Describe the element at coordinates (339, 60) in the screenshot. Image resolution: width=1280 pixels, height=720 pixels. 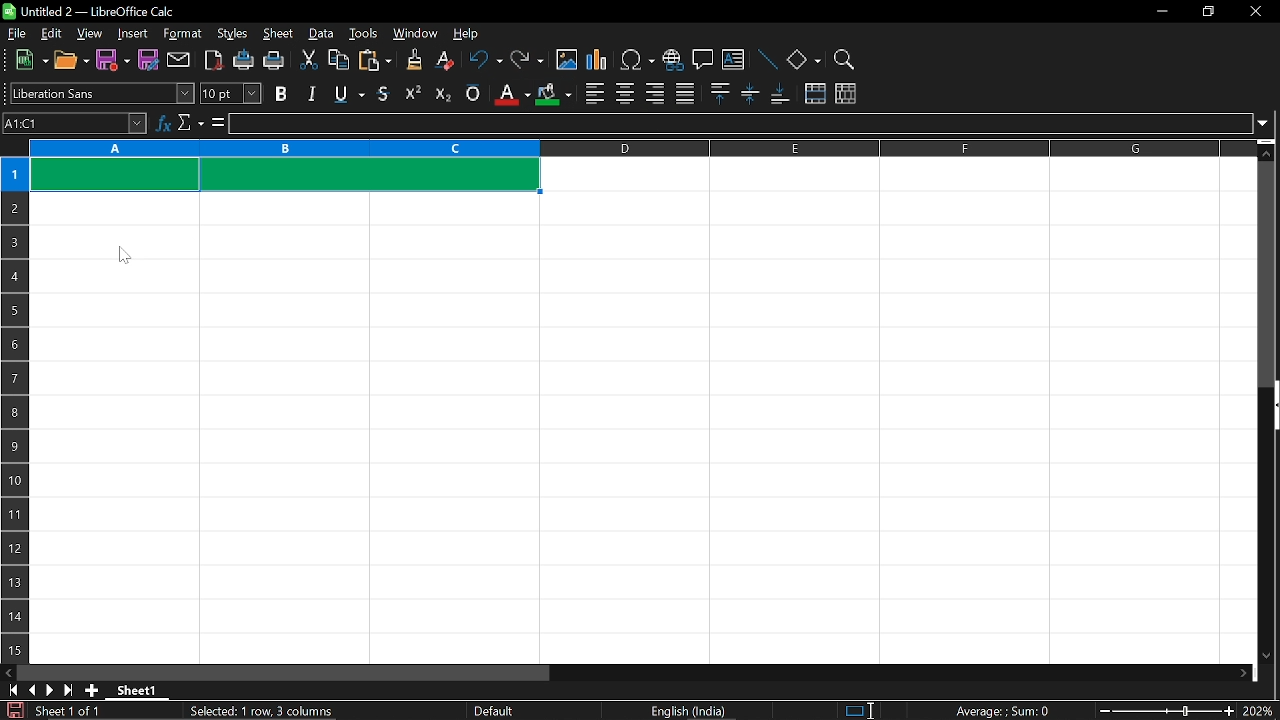
I see `copy` at that location.